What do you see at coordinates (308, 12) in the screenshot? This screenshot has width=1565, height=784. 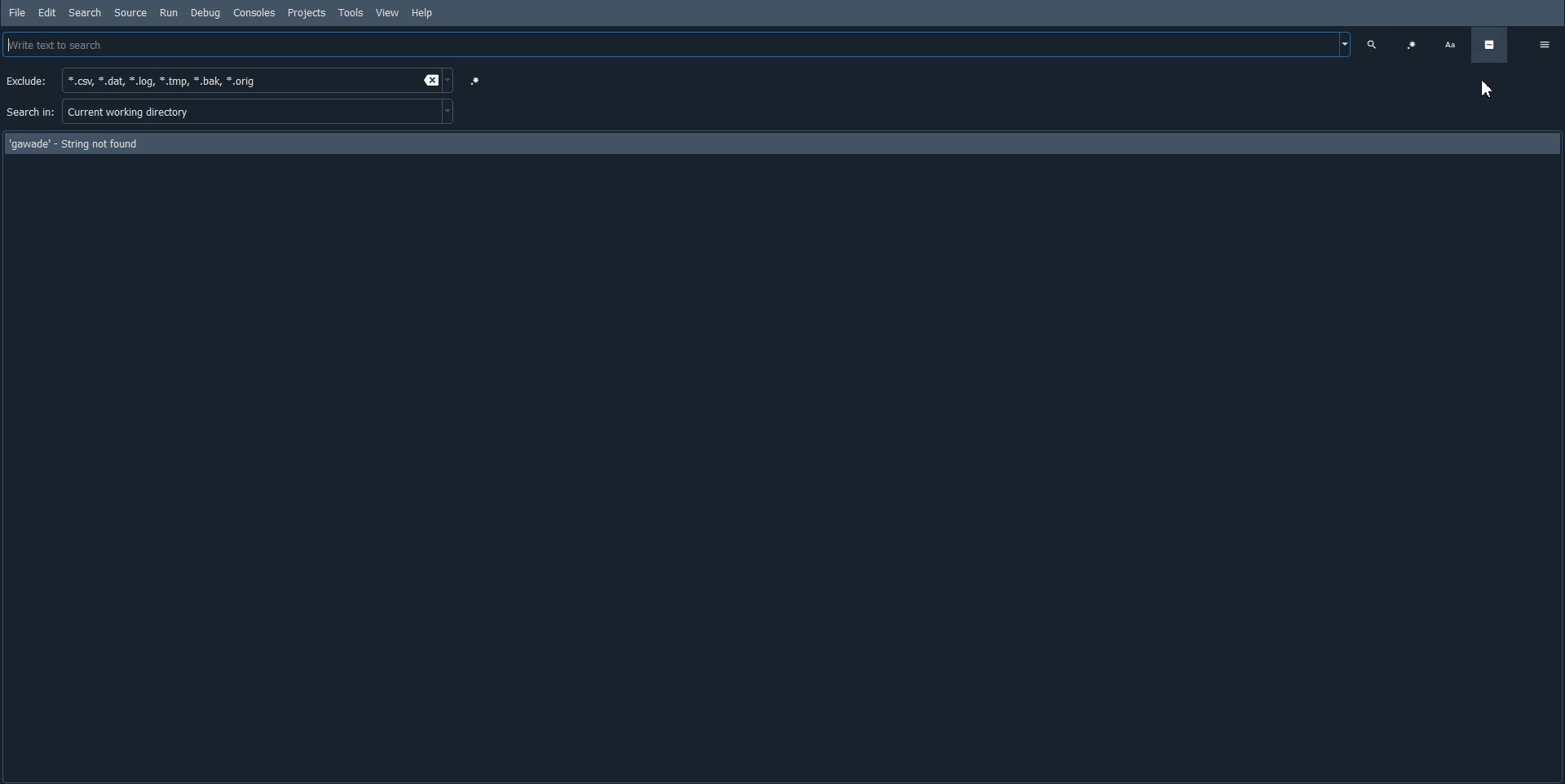 I see `Projects` at bounding box center [308, 12].